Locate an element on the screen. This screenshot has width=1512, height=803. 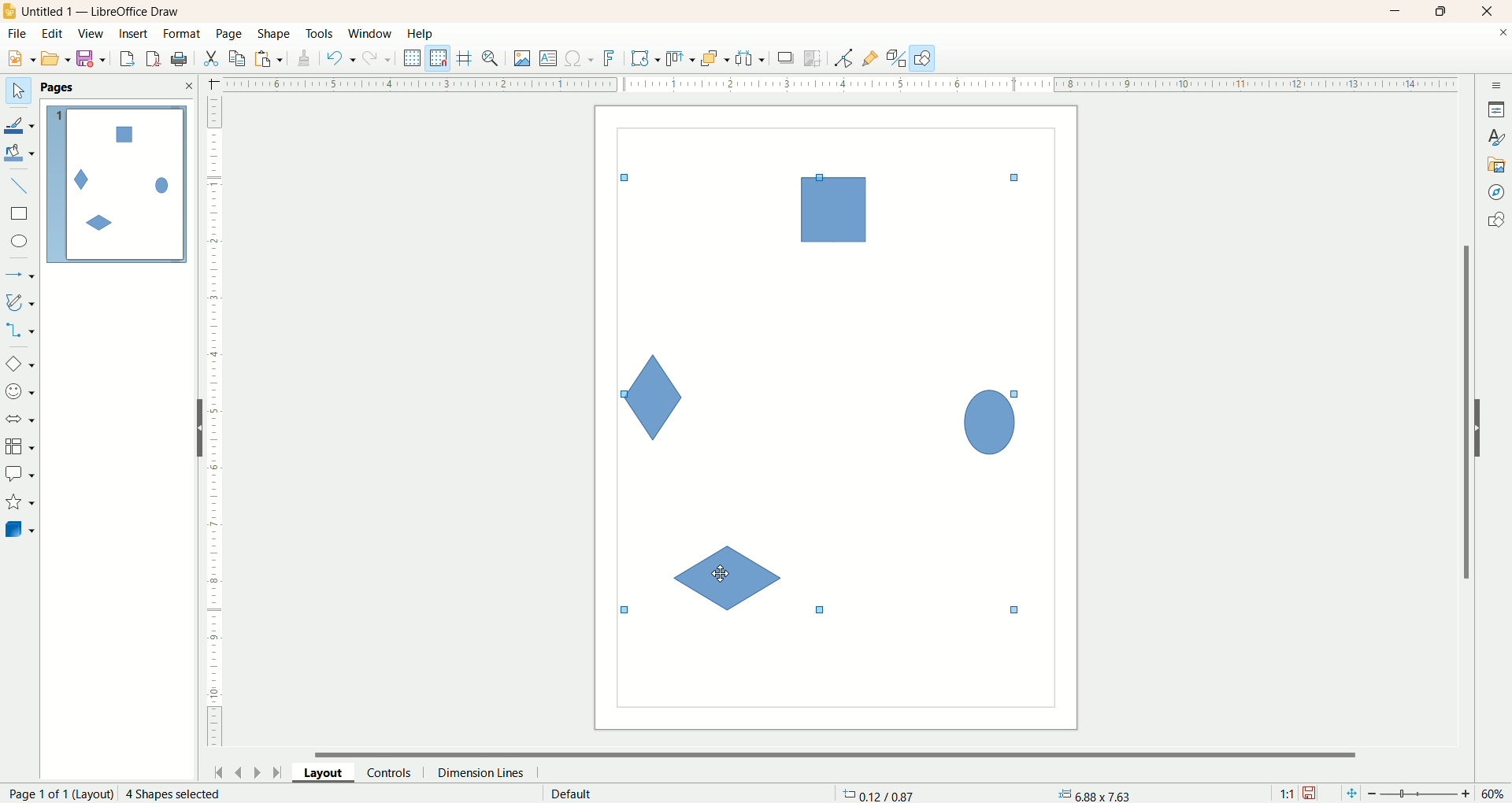
insert line is located at coordinates (22, 187).